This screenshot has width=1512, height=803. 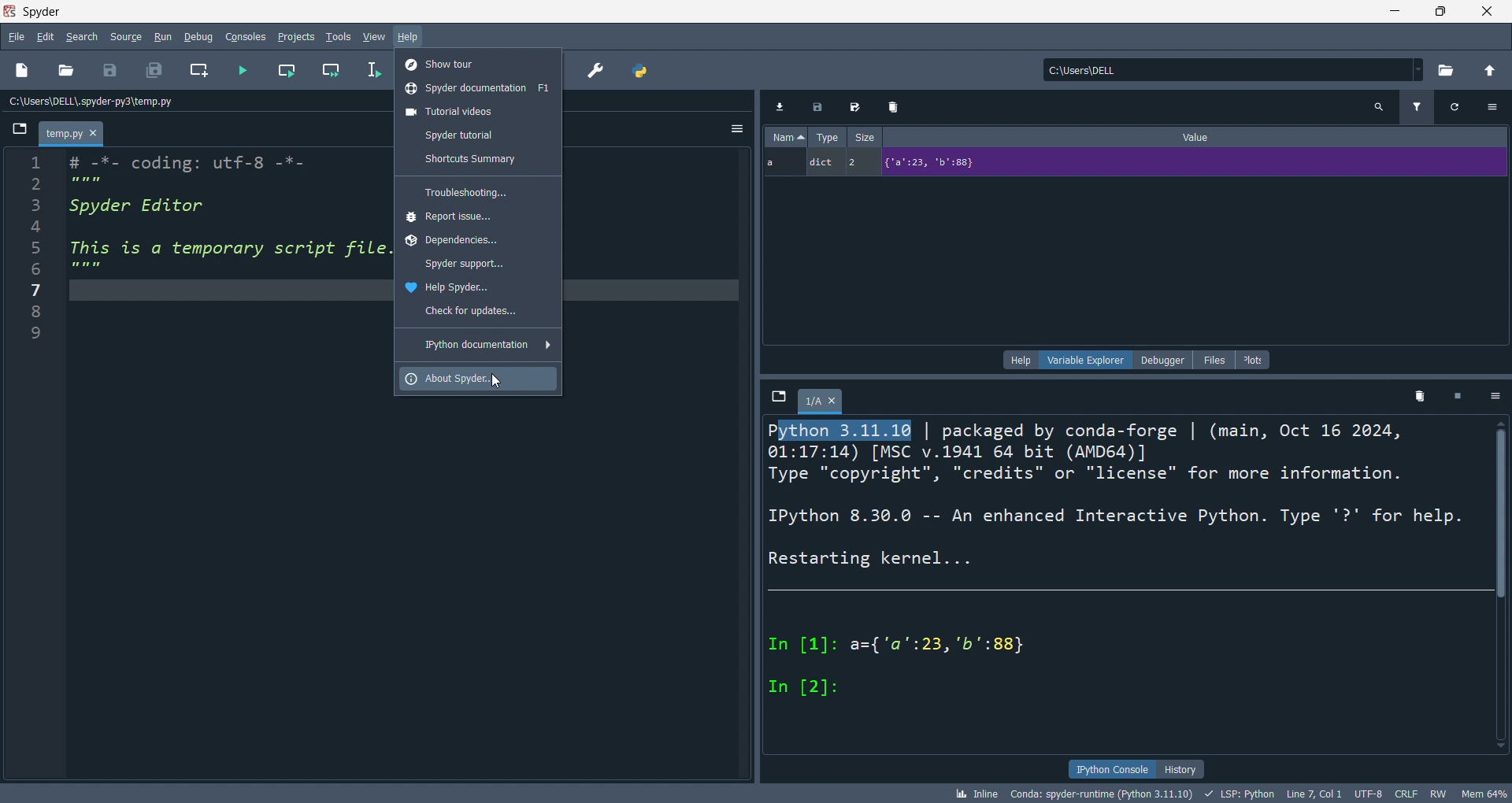 I want to click on new cell, so click(x=200, y=71).